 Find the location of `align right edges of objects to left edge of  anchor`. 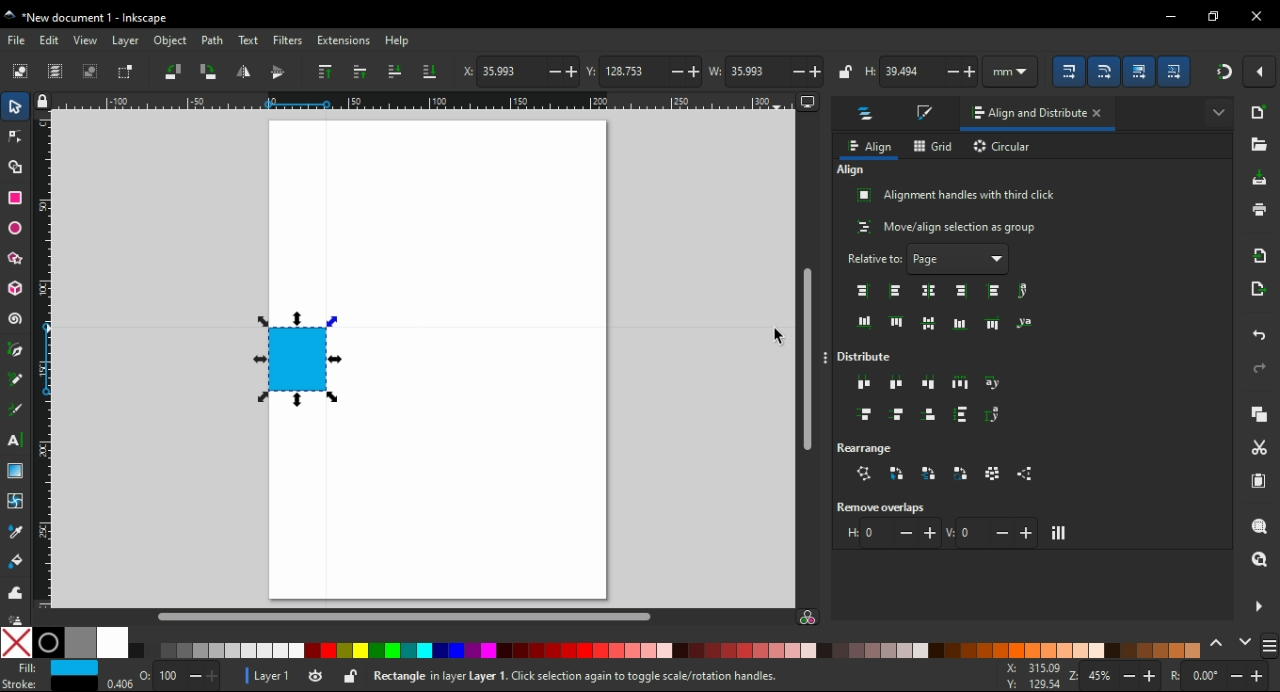

align right edges of objects to left edge of  anchor is located at coordinates (863, 290).